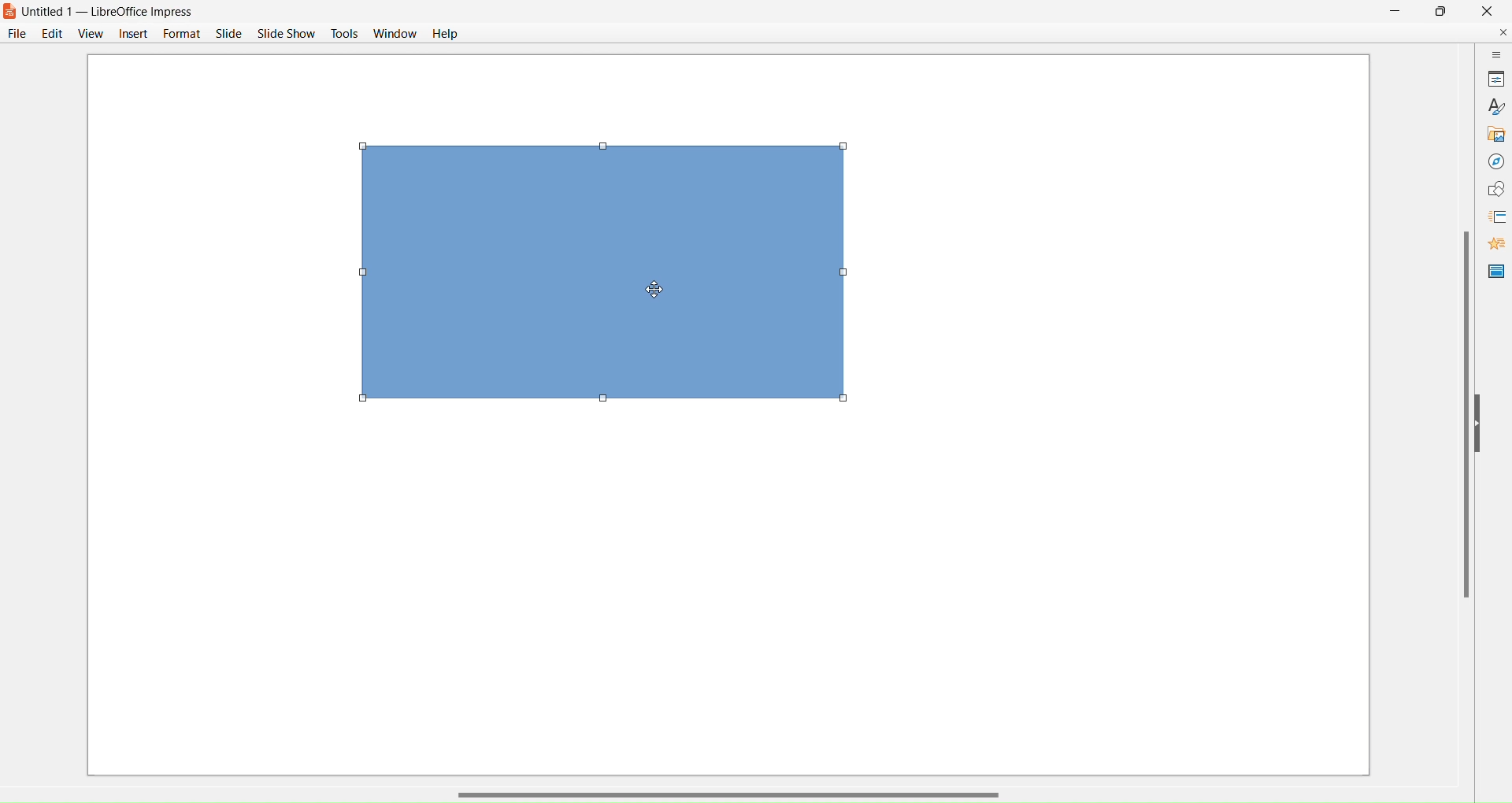 This screenshot has width=1512, height=803. I want to click on Minimize, so click(1396, 11).